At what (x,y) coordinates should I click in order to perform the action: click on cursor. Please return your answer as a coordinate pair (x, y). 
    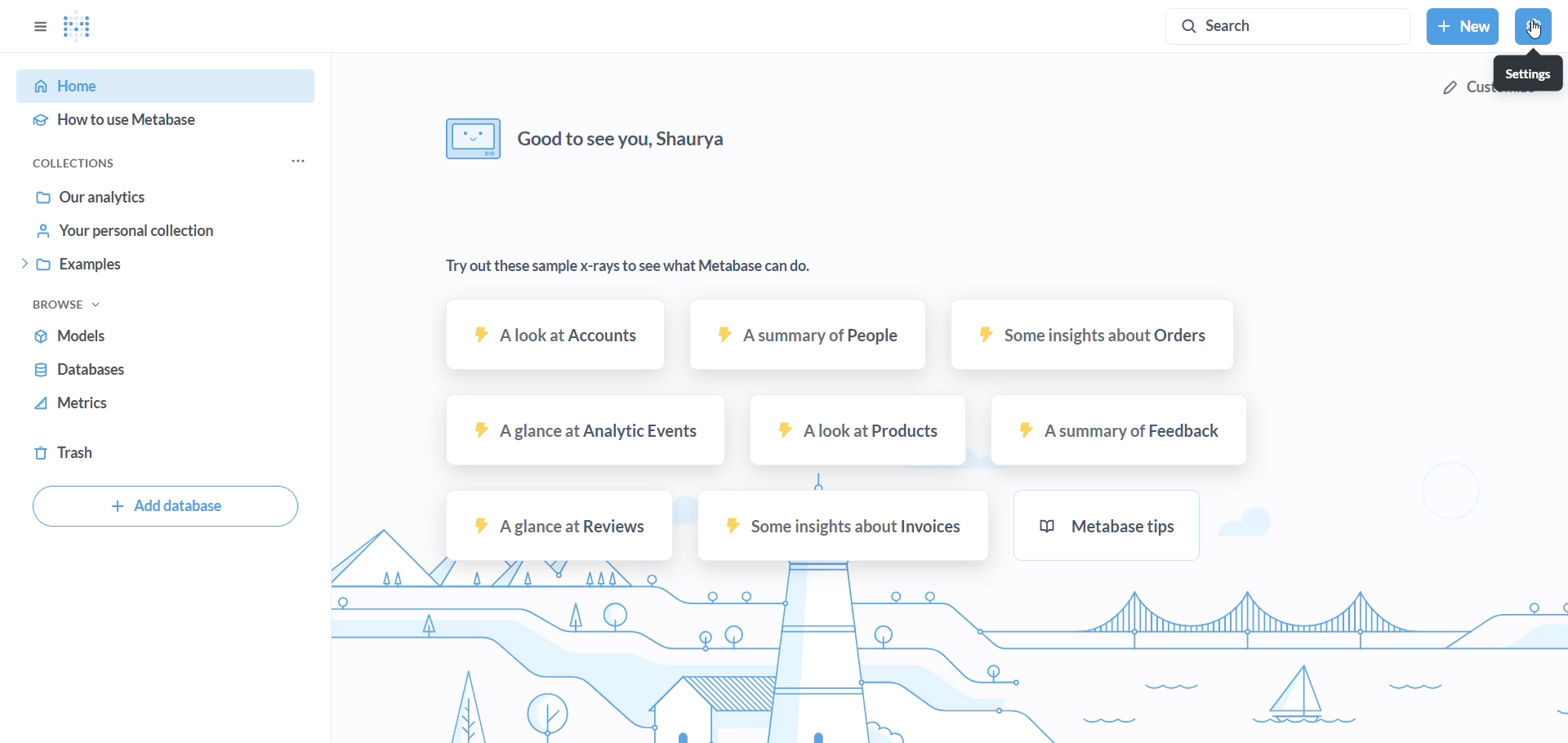
    Looking at the image, I should click on (1530, 32).